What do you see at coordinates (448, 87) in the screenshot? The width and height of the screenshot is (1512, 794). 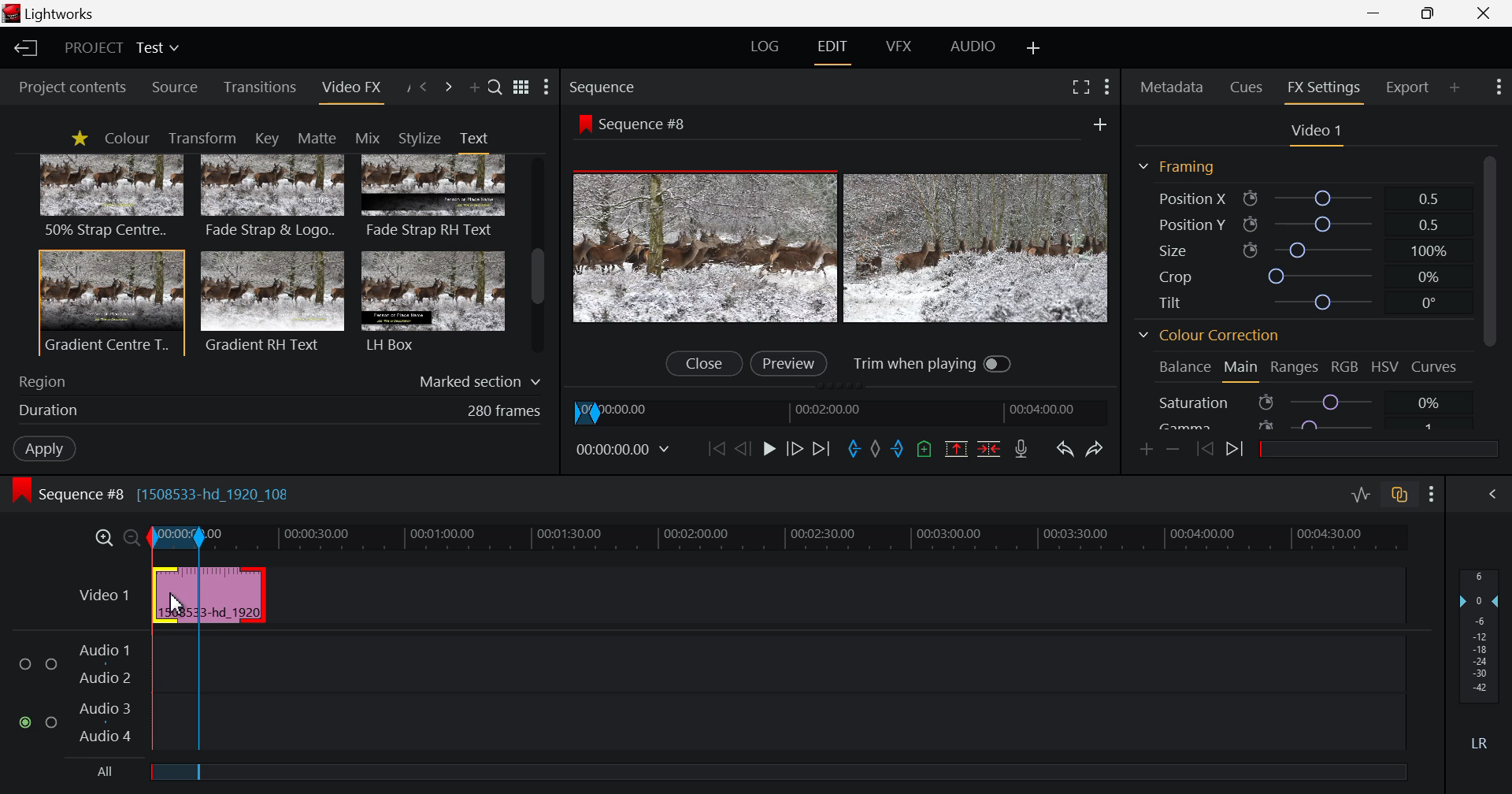 I see `Next Panel` at bounding box center [448, 87].